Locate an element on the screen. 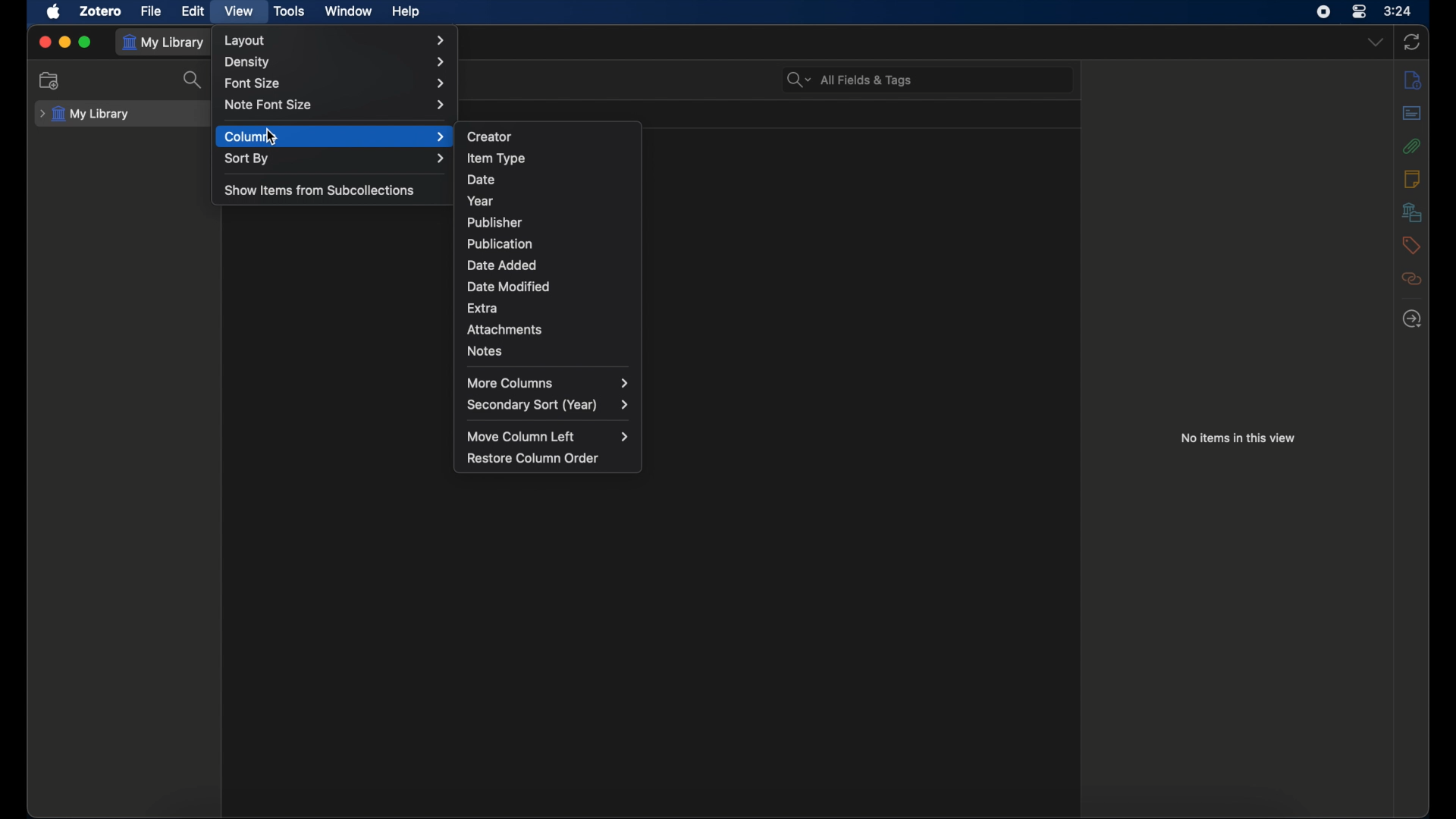 This screenshot has height=819, width=1456. maximize is located at coordinates (86, 42).